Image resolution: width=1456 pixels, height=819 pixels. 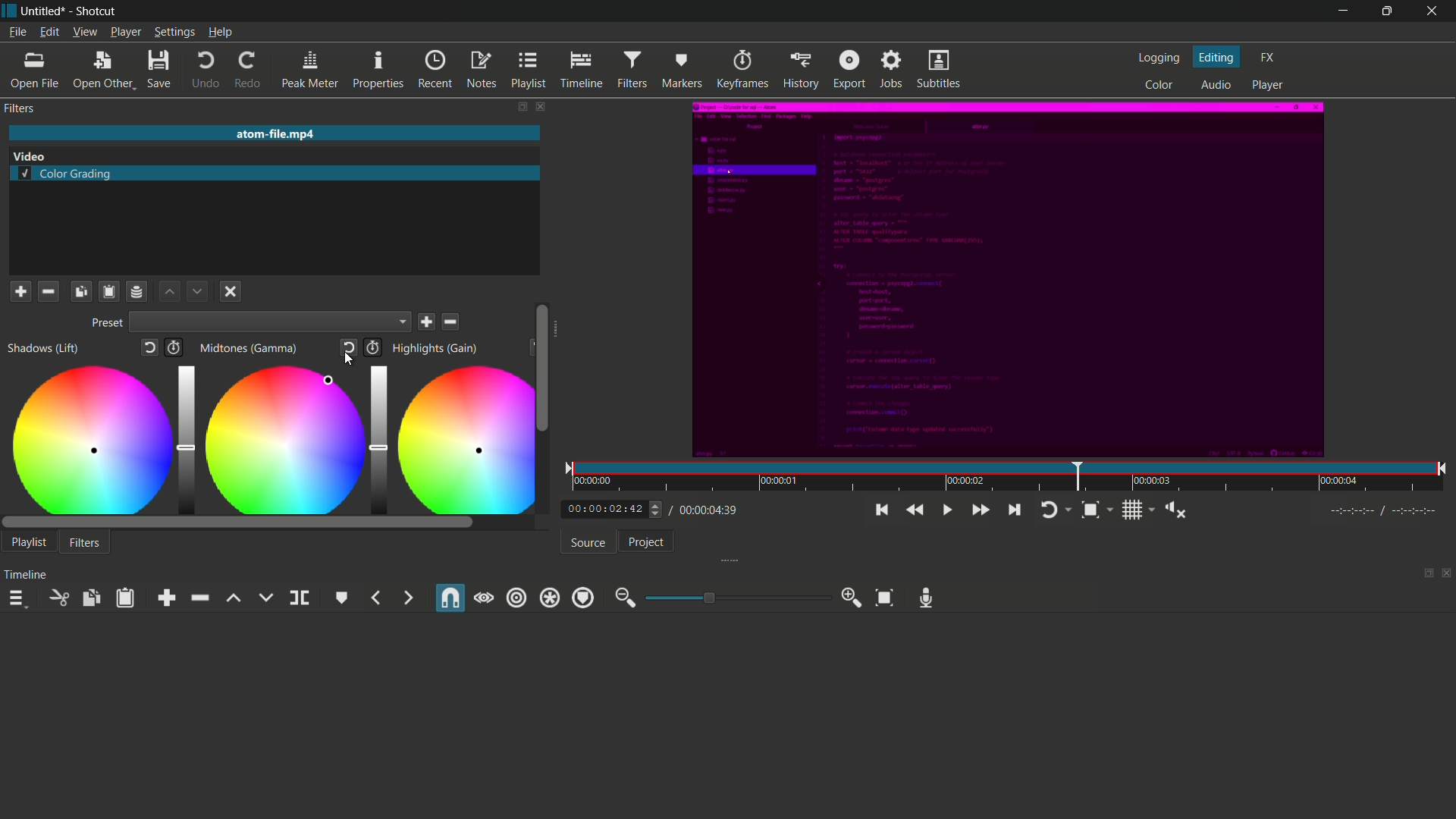 What do you see at coordinates (583, 598) in the screenshot?
I see `ripple markers` at bounding box center [583, 598].